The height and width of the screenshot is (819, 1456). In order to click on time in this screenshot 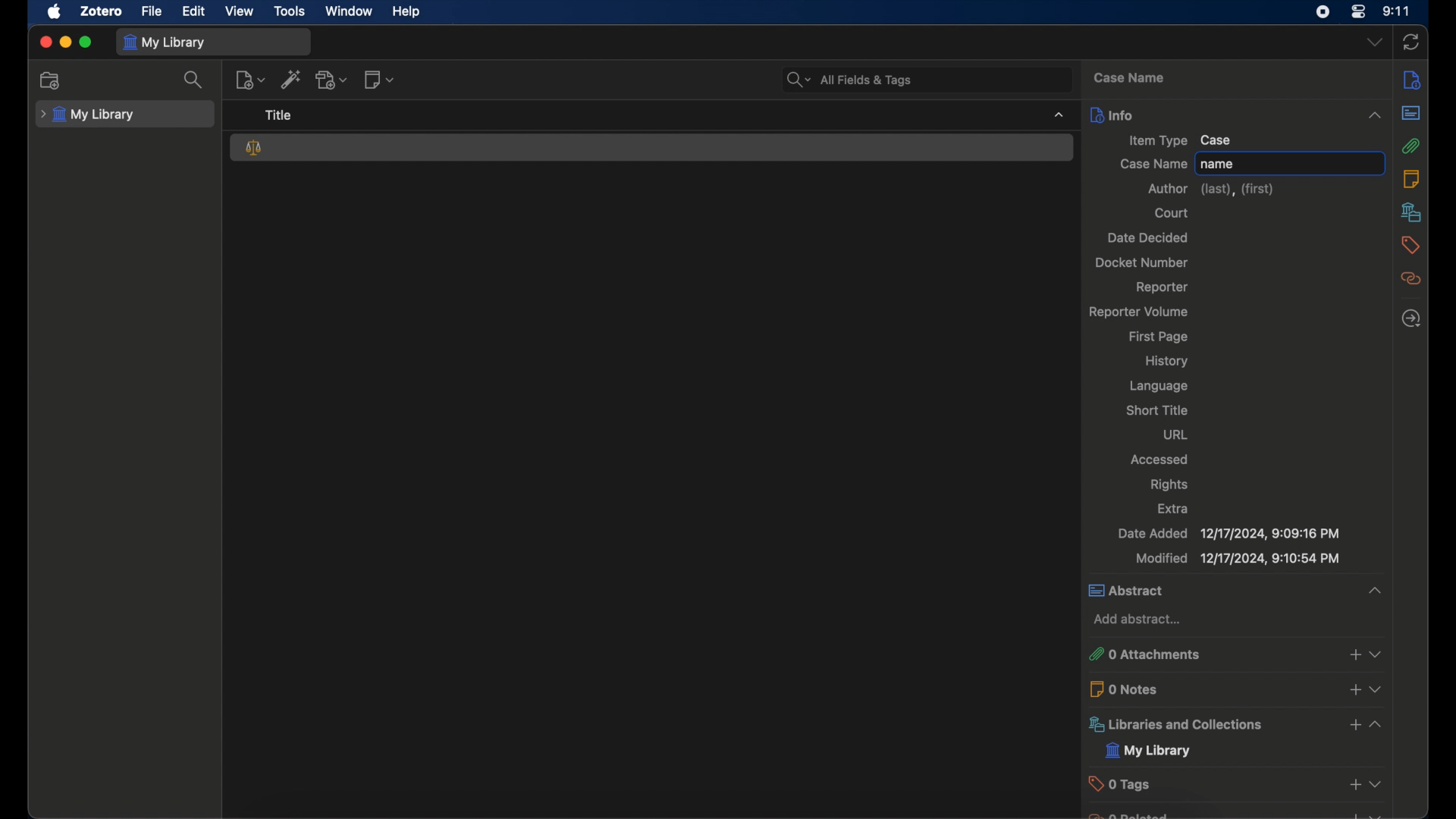, I will do `click(1396, 11)`.